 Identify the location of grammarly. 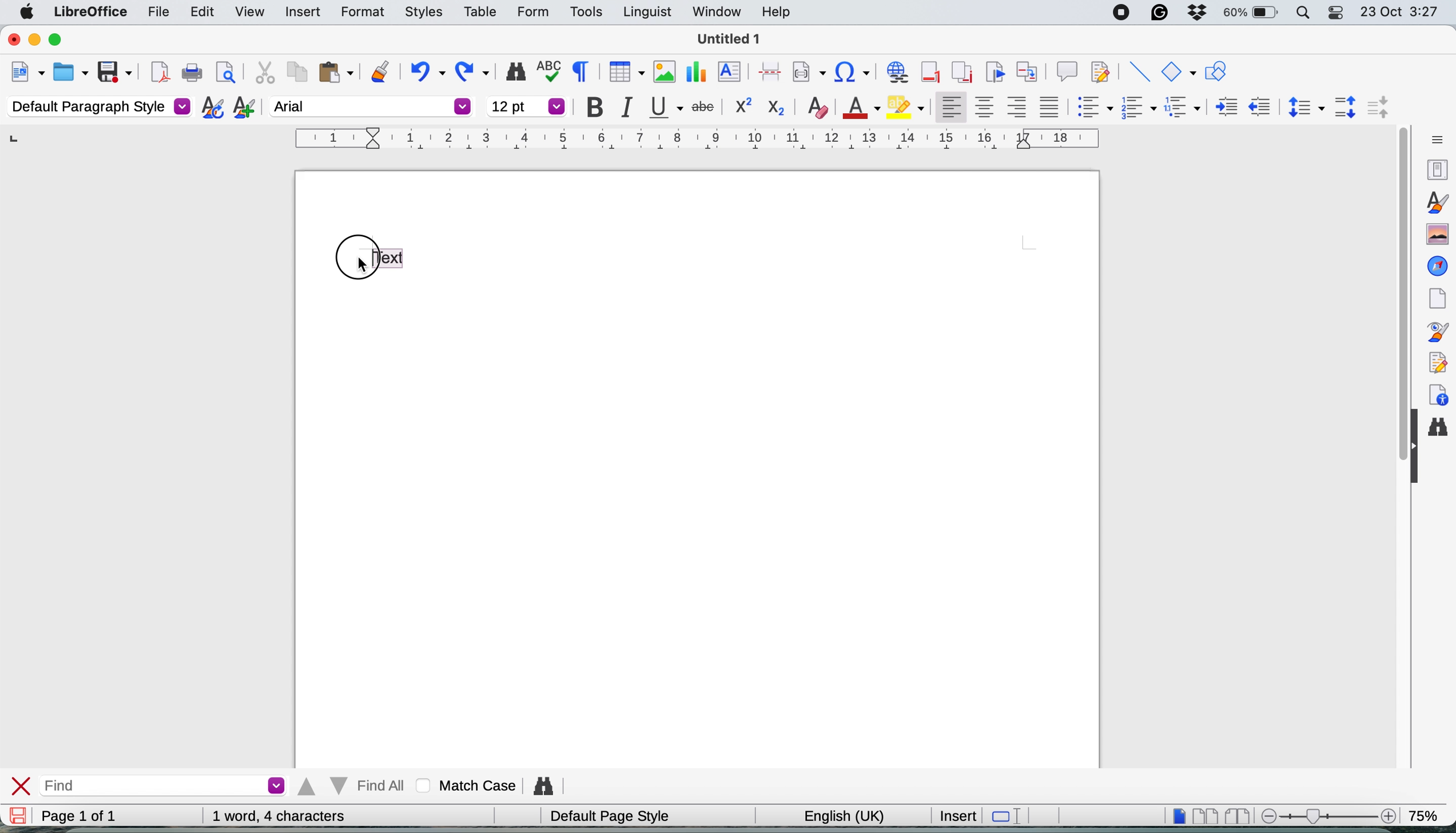
(1157, 14).